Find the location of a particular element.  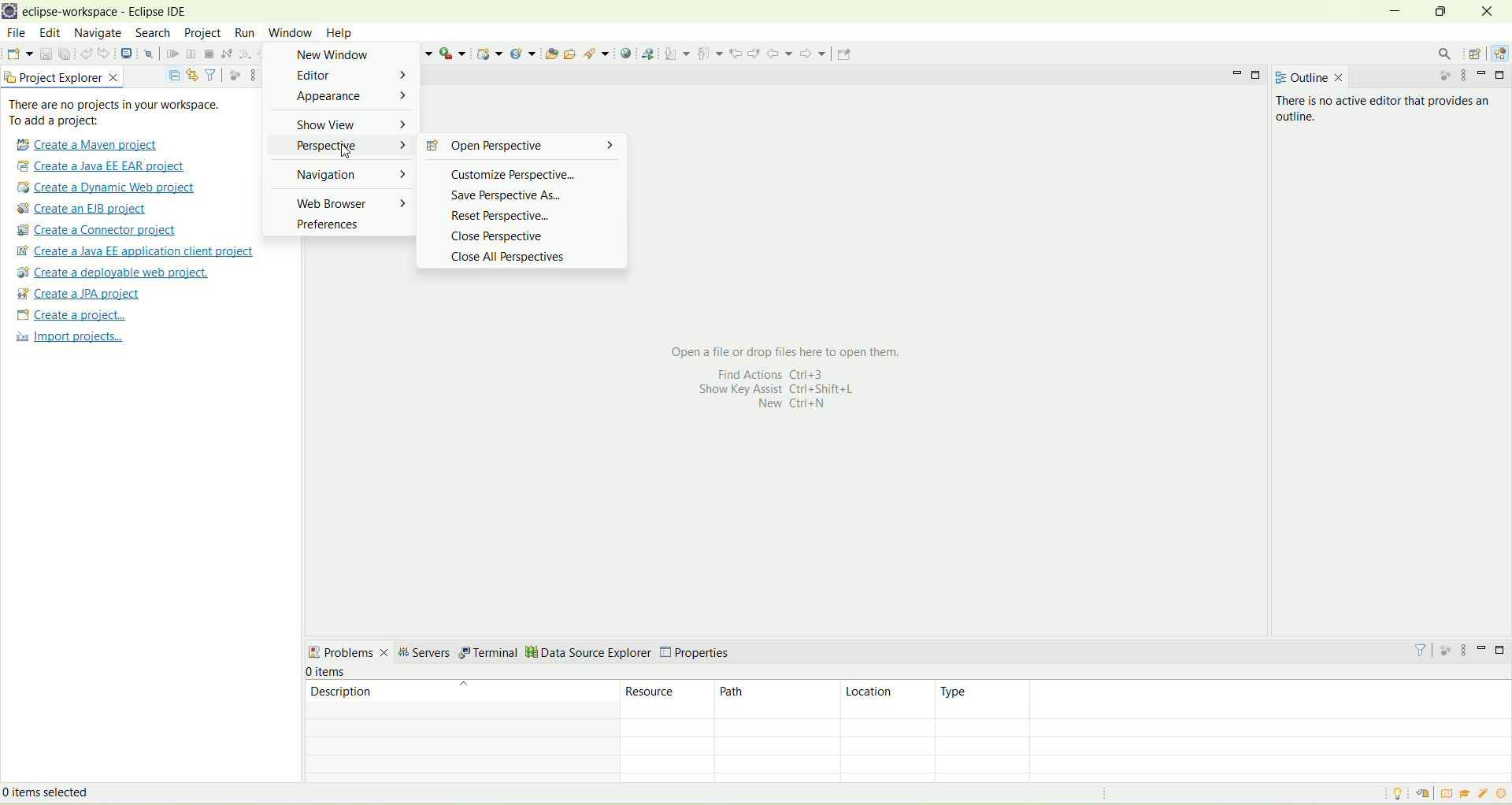

run is located at coordinates (246, 32).